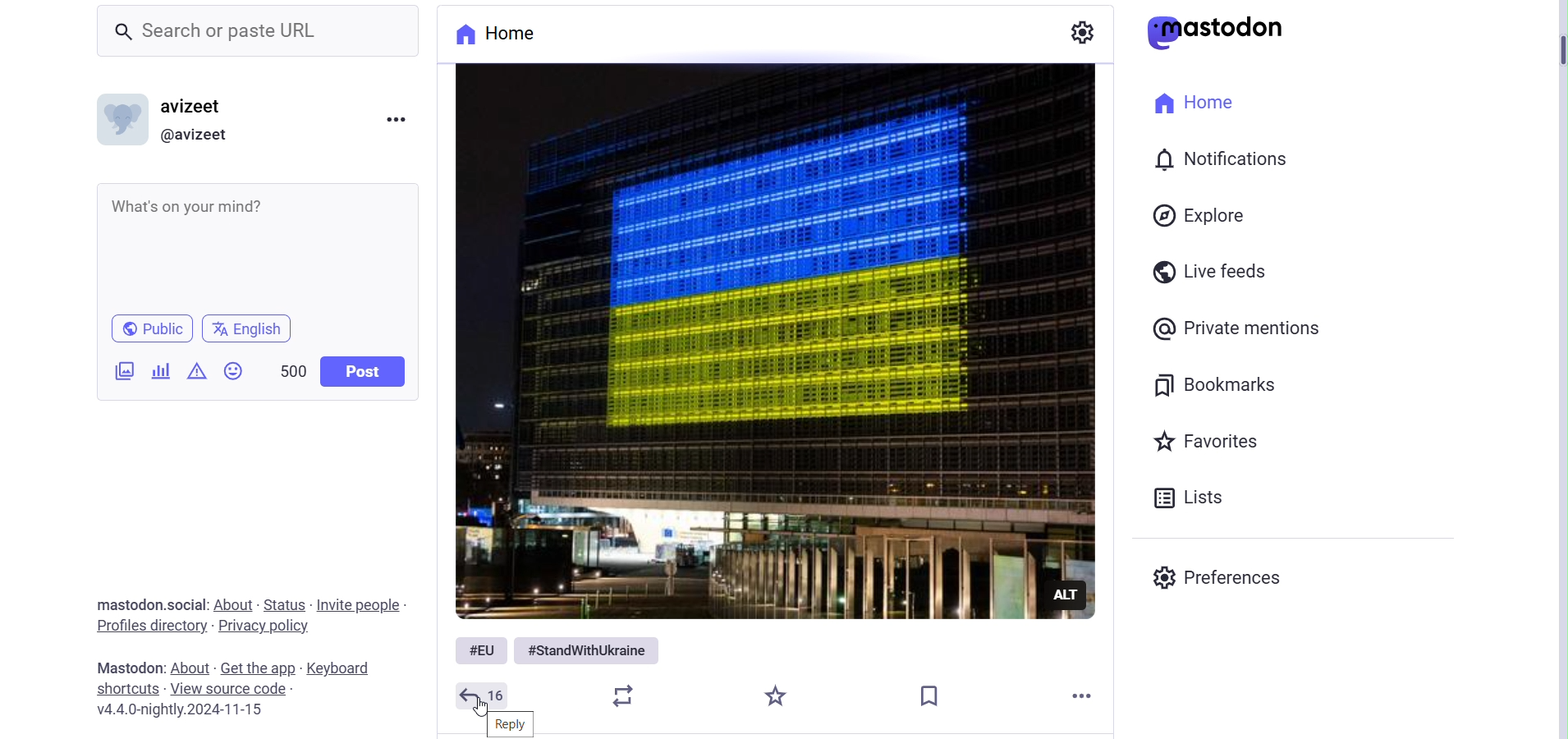 Image resolution: width=1568 pixels, height=739 pixels. I want to click on Poll, so click(158, 369).